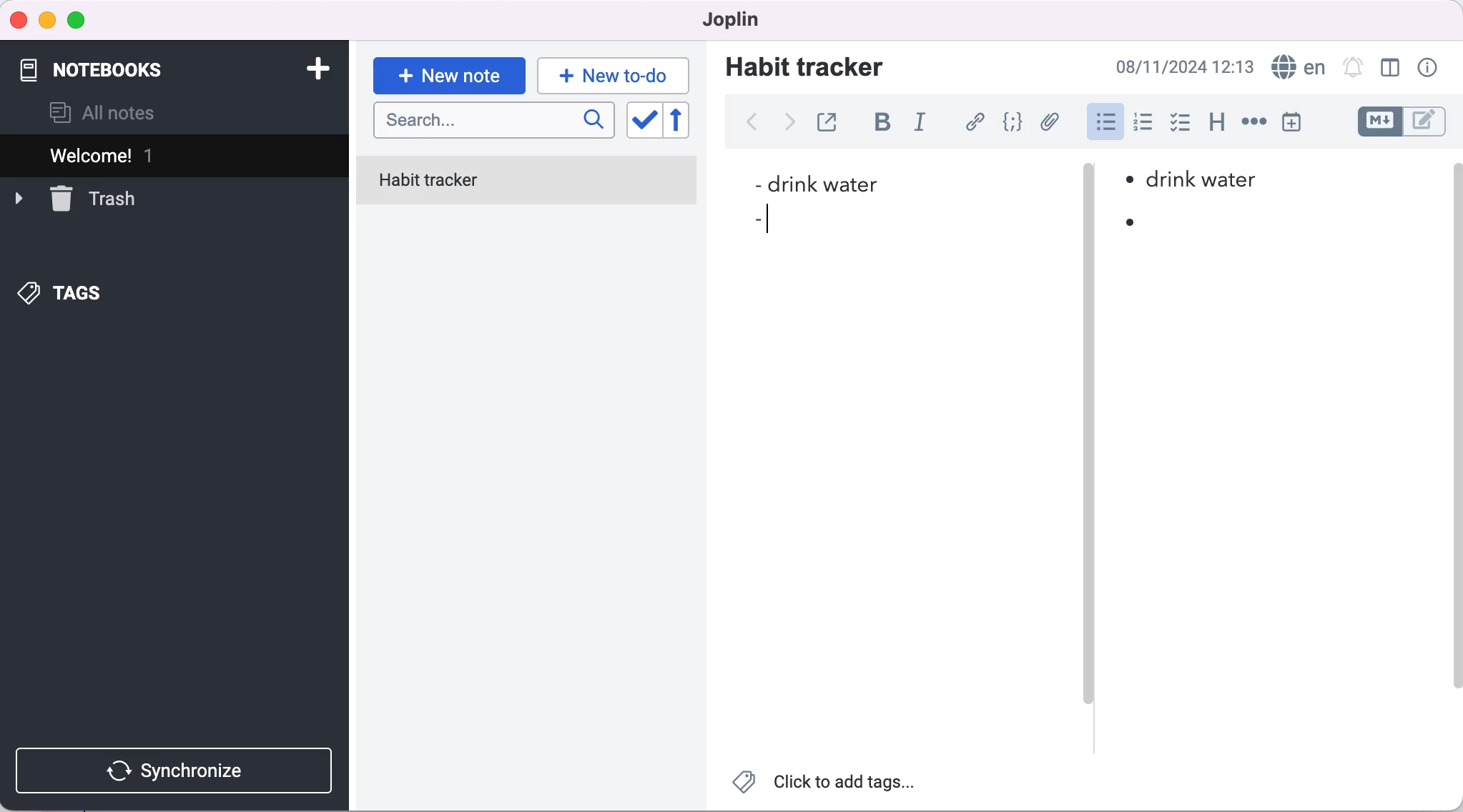 Image resolution: width=1463 pixels, height=812 pixels. Describe the element at coordinates (814, 186) in the screenshot. I see `- drink water` at that location.